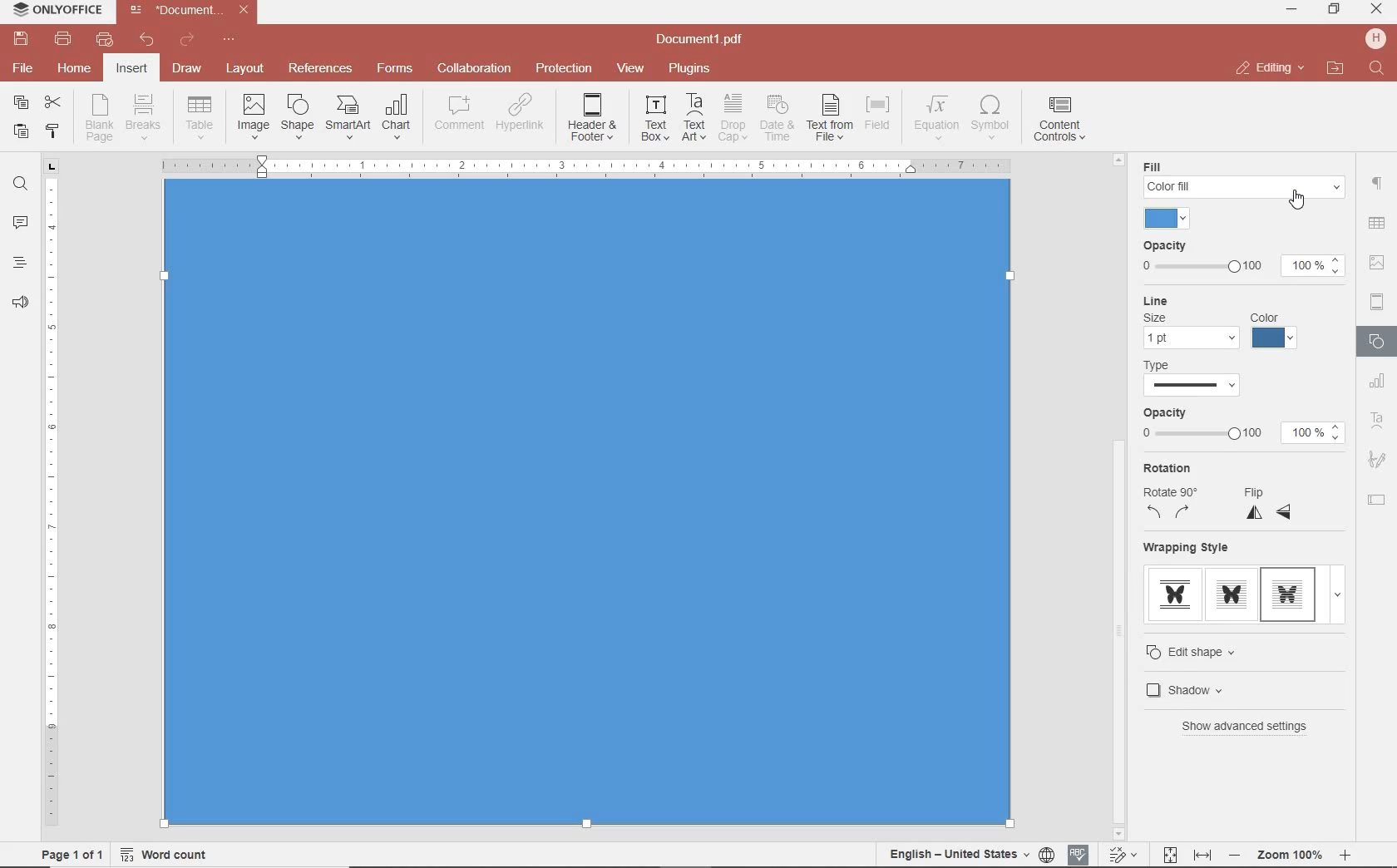 The height and width of the screenshot is (868, 1397). I want to click on tab stop, so click(52, 165).